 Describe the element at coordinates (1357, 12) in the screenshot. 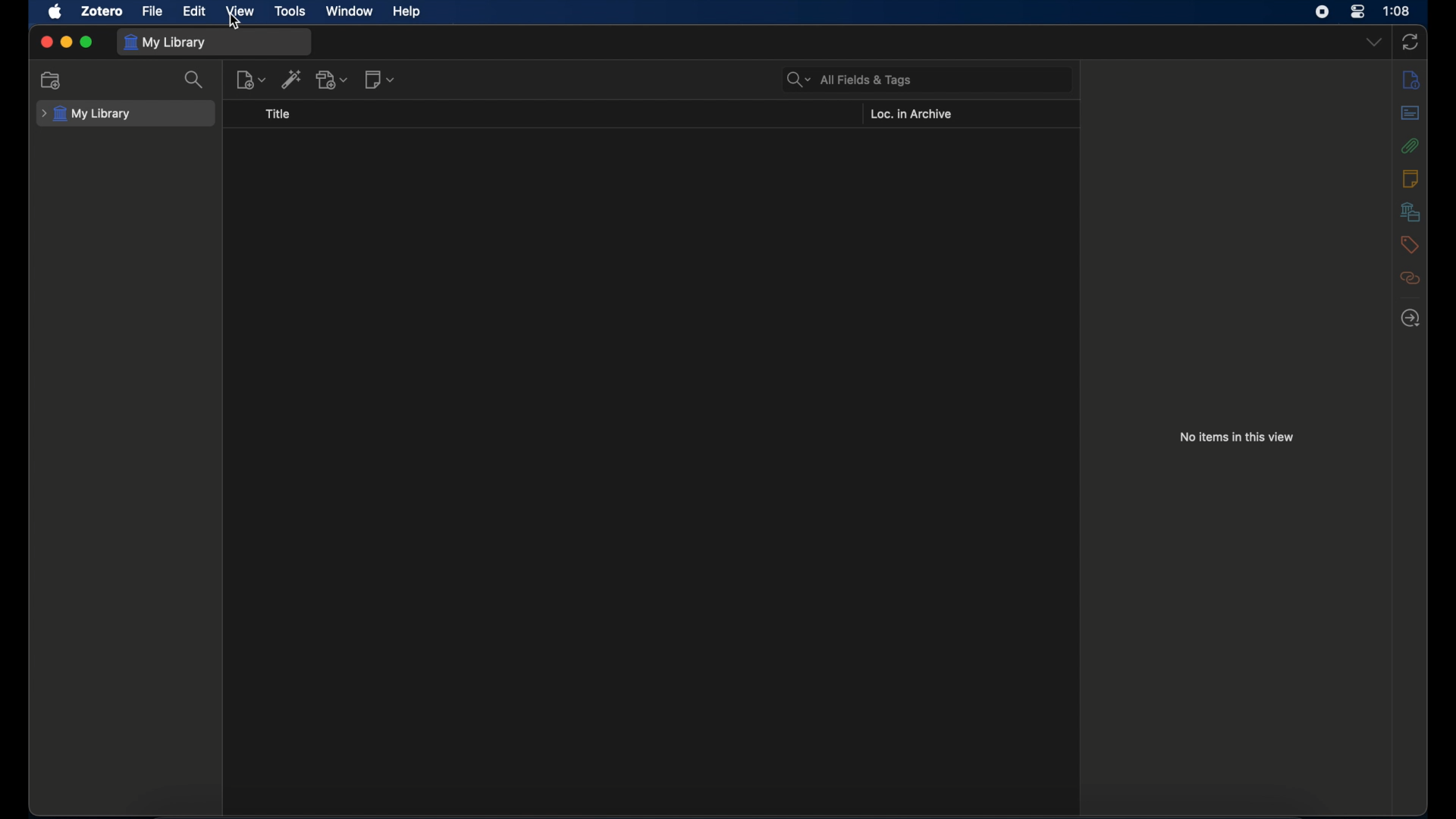

I see `control center` at that location.